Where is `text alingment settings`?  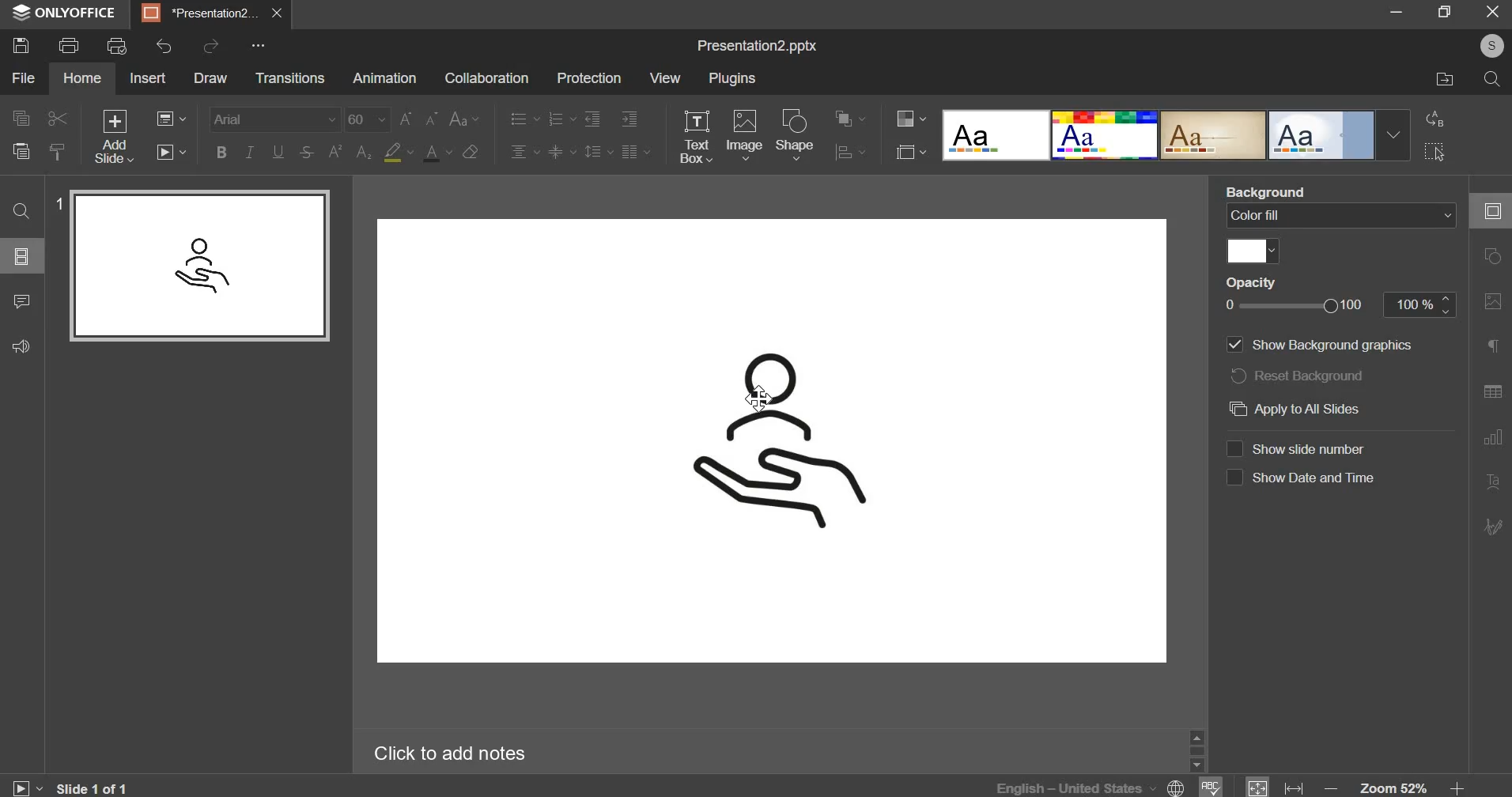
text alingment settings is located at coordinates (578, 135).